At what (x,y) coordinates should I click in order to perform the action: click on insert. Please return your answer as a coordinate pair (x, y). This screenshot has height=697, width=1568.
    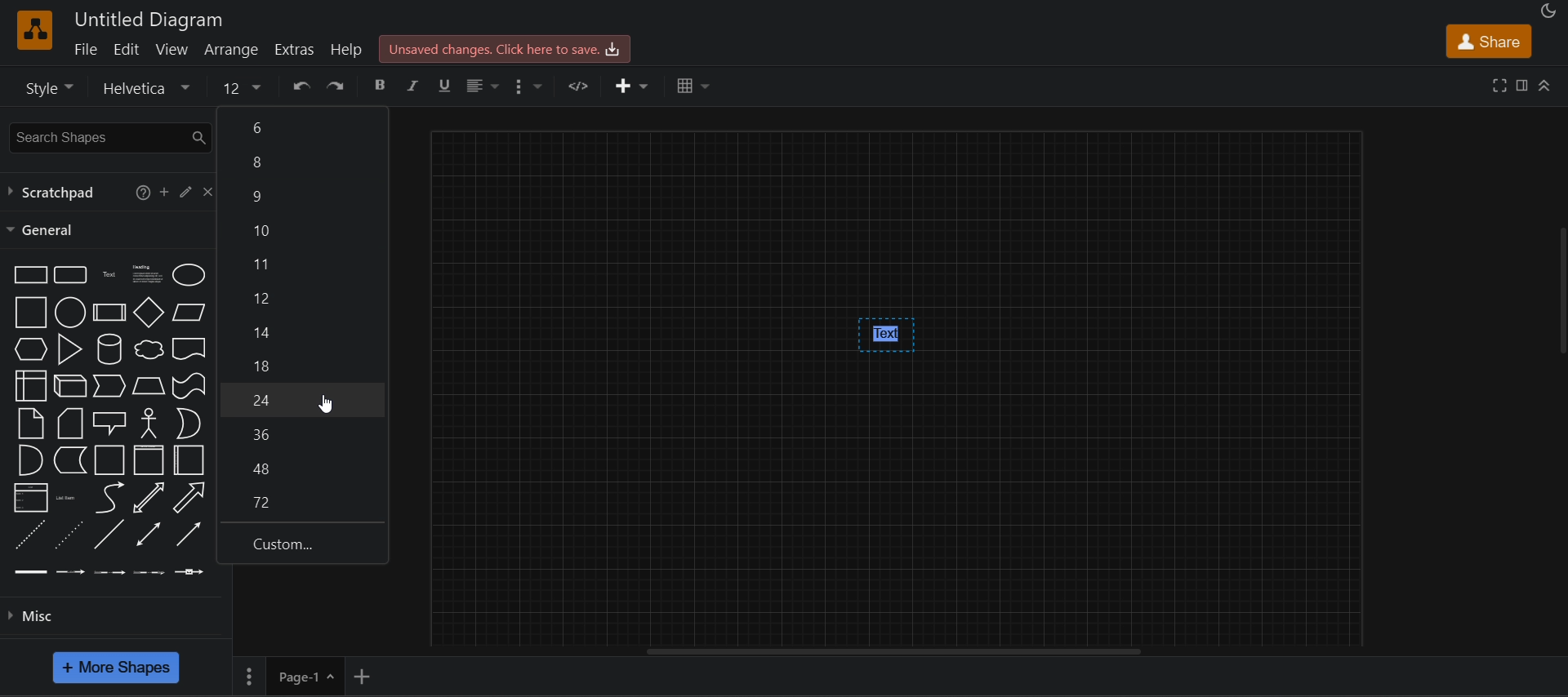
    Looking at the image, I should click on (632, 86).